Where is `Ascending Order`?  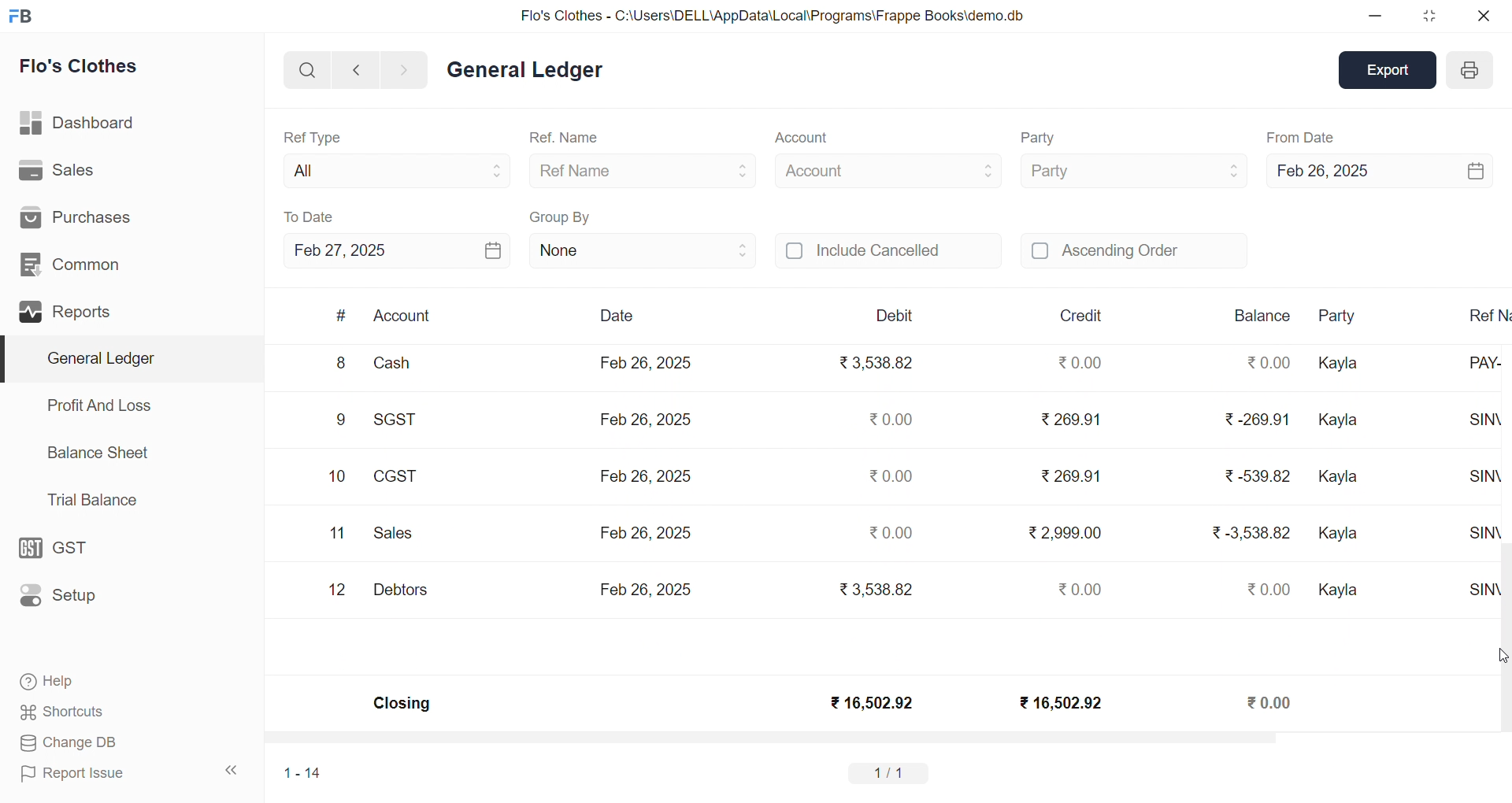
Ascending Order is located at coordinates (1134, 249).